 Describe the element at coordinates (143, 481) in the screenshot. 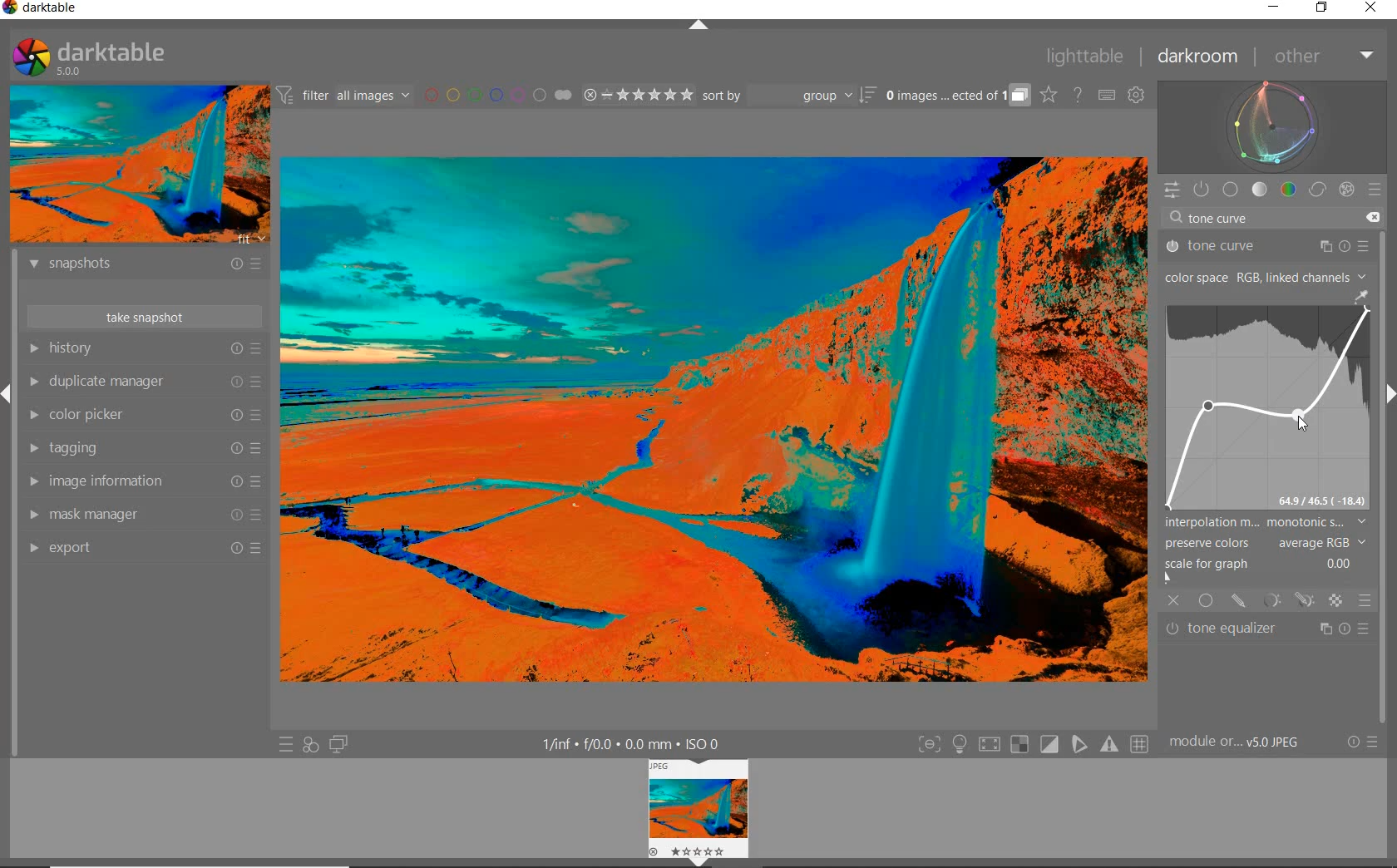

I see `image information` at that location.